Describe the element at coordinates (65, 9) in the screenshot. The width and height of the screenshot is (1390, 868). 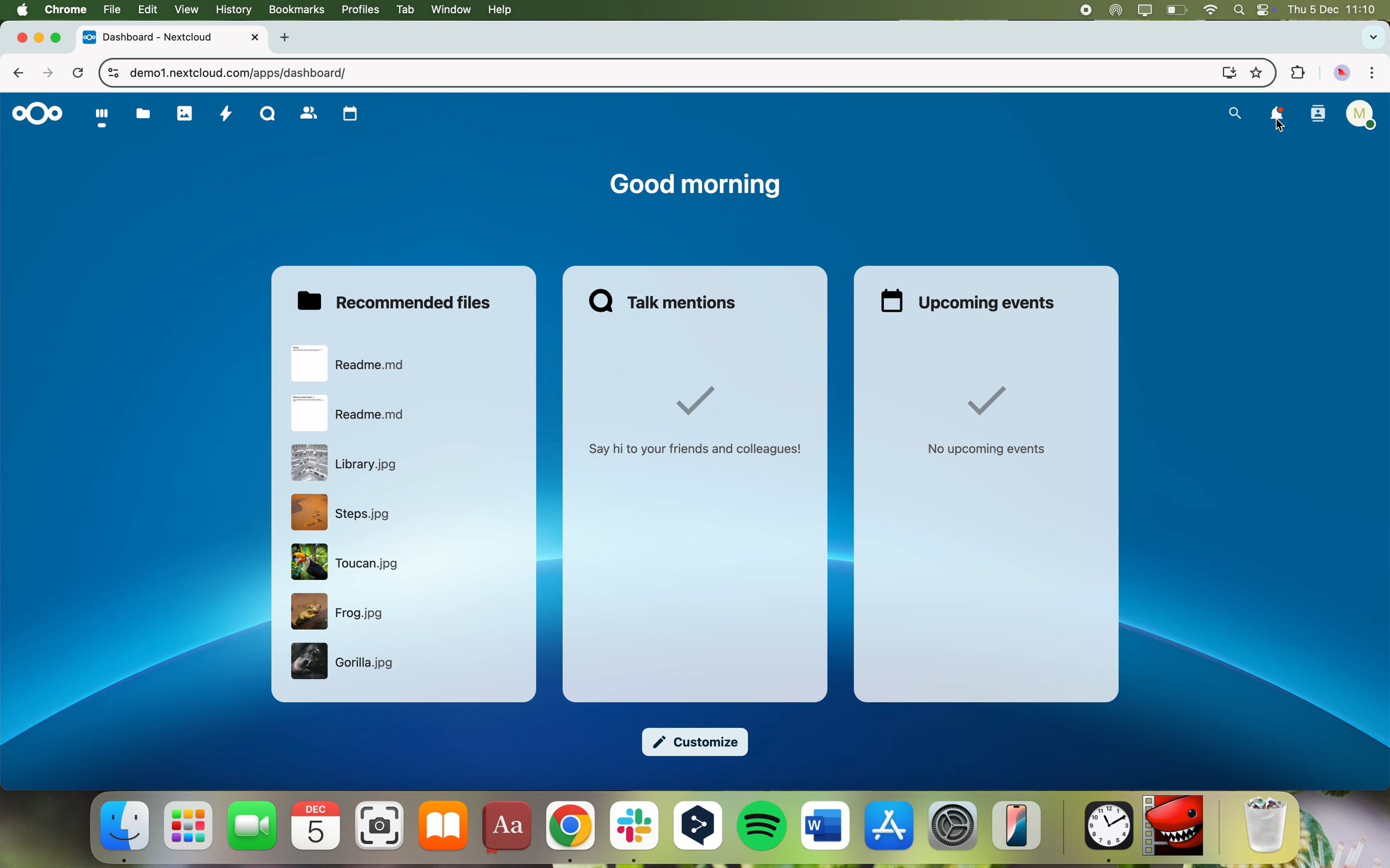
I see `Chrome` at that location.